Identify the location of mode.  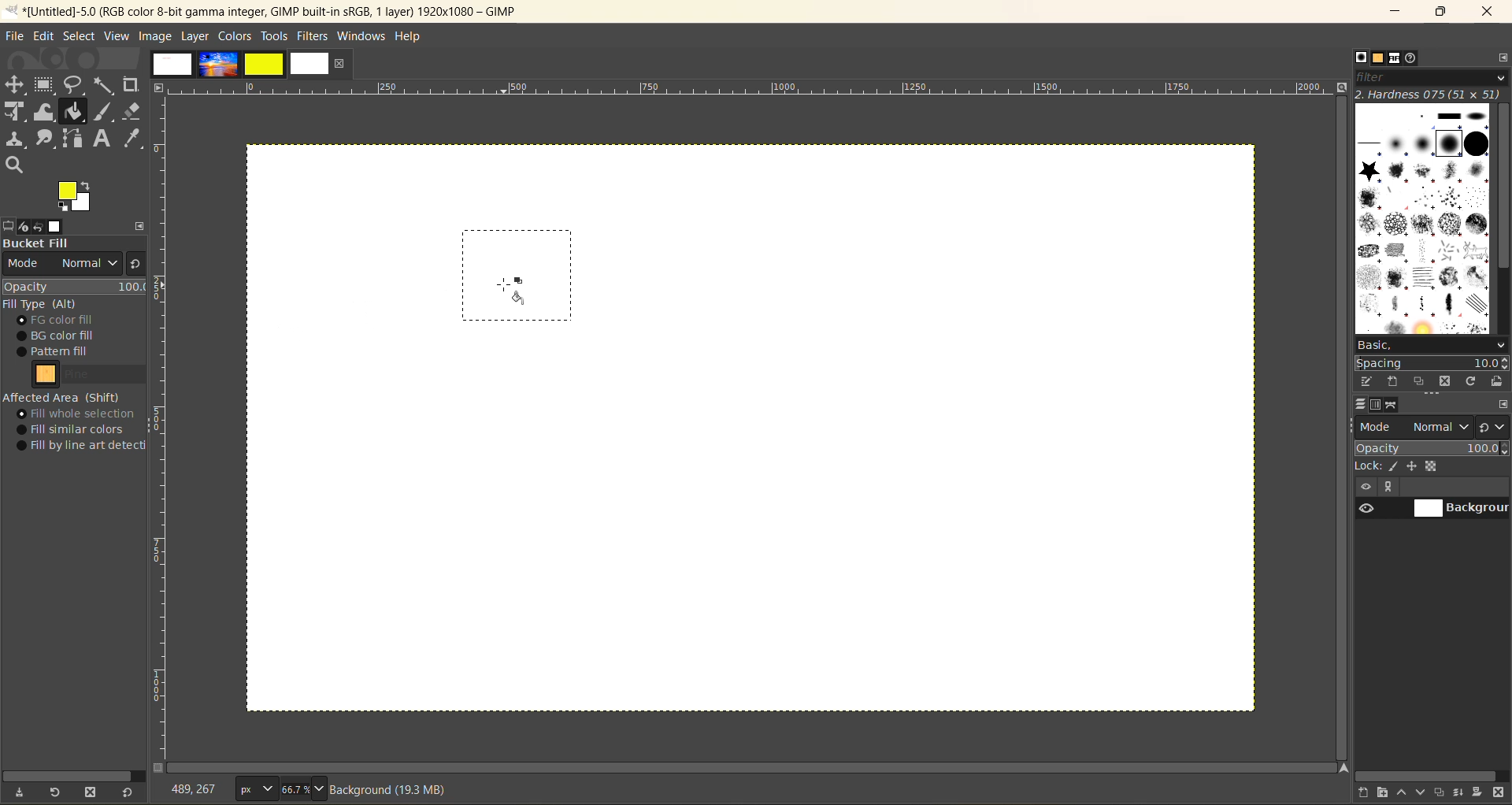
(1415, 427).